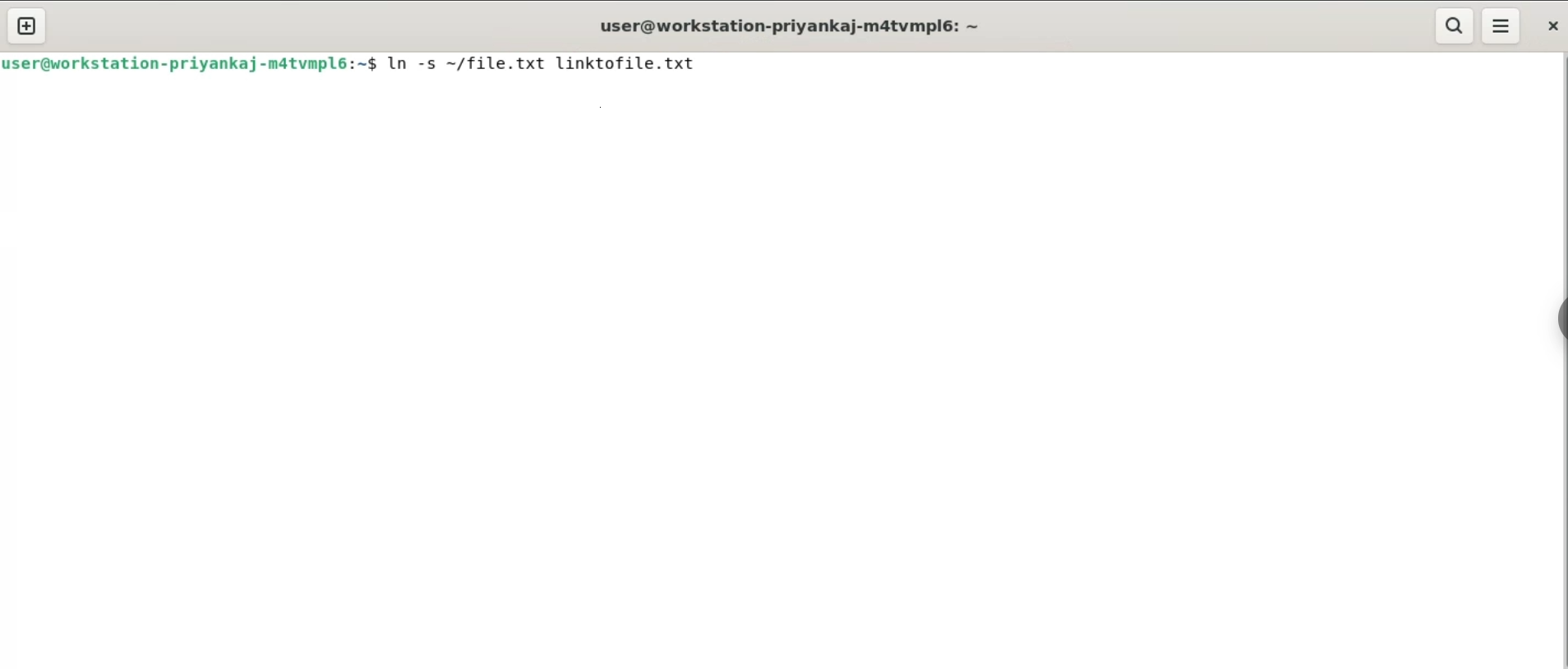 Image resolution: width=1568 pixels, height=669 pixels. I want to click on menu, so click(1502, 25).